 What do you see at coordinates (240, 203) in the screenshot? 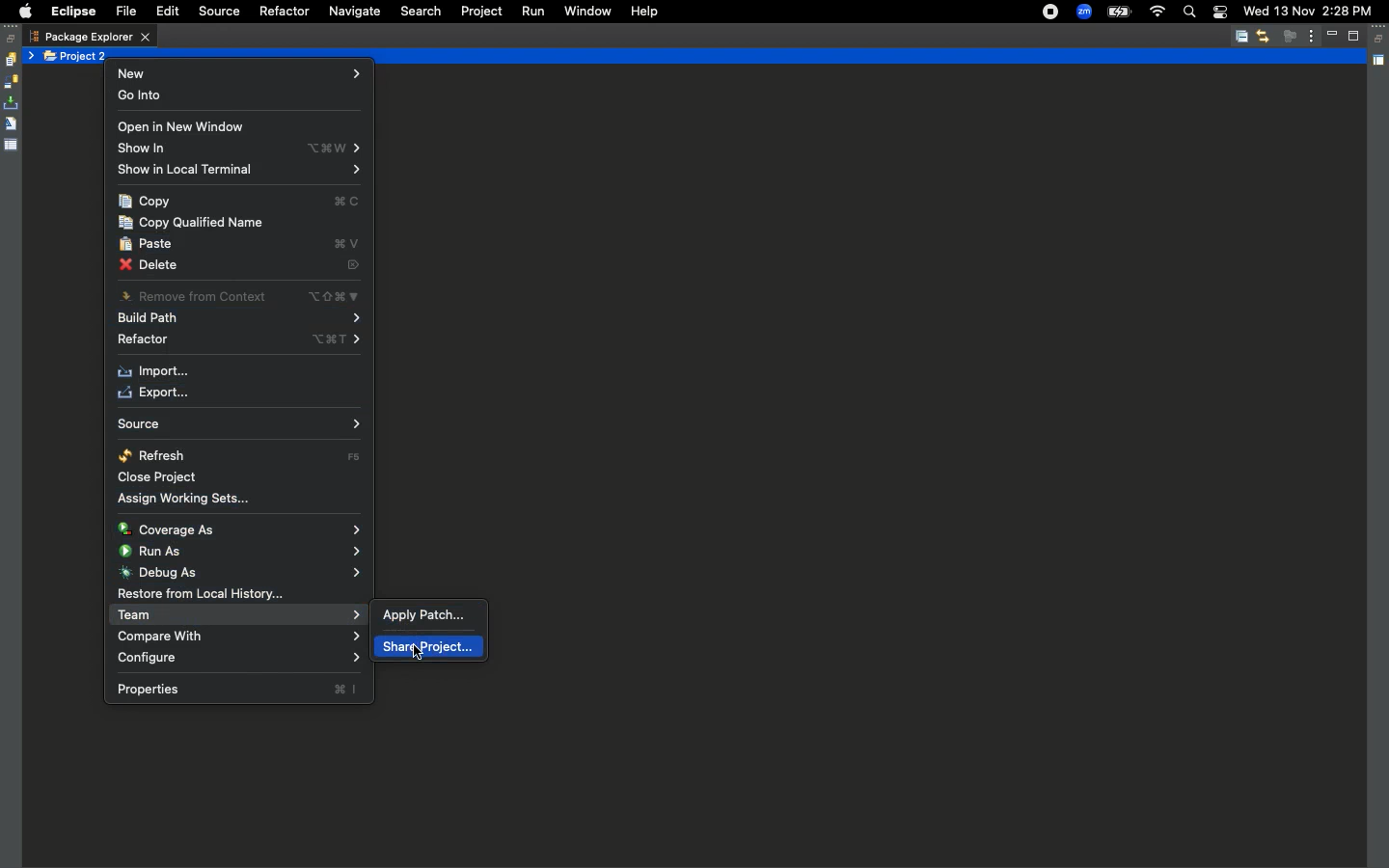
I see `Copy` at bounding box center [240, 203].